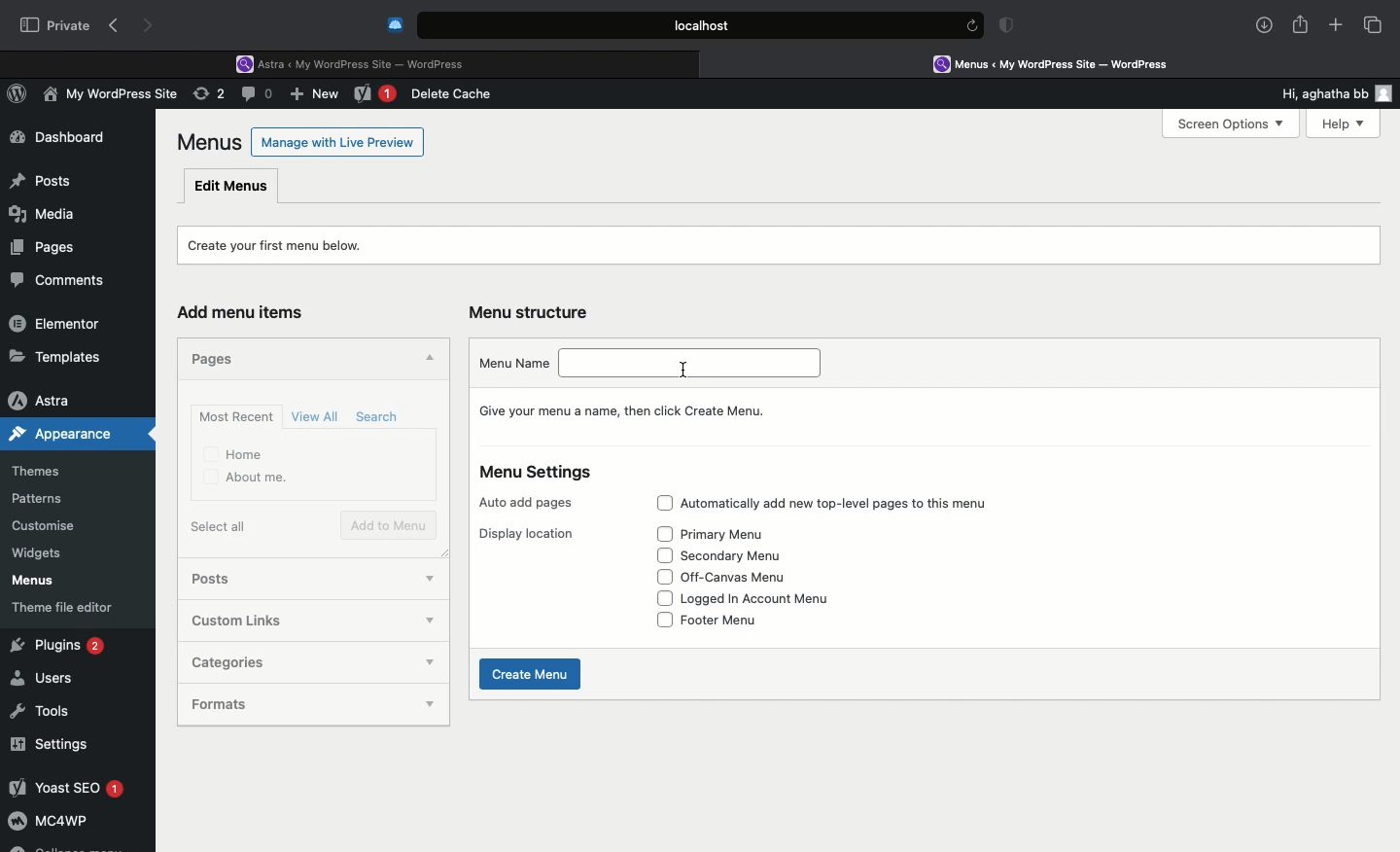 The width and height of the screenshot is (1400, 852). What do you see at coordinates (663, 621) in the screenshot?
I see `Check box` at bounding box center [663, 621].